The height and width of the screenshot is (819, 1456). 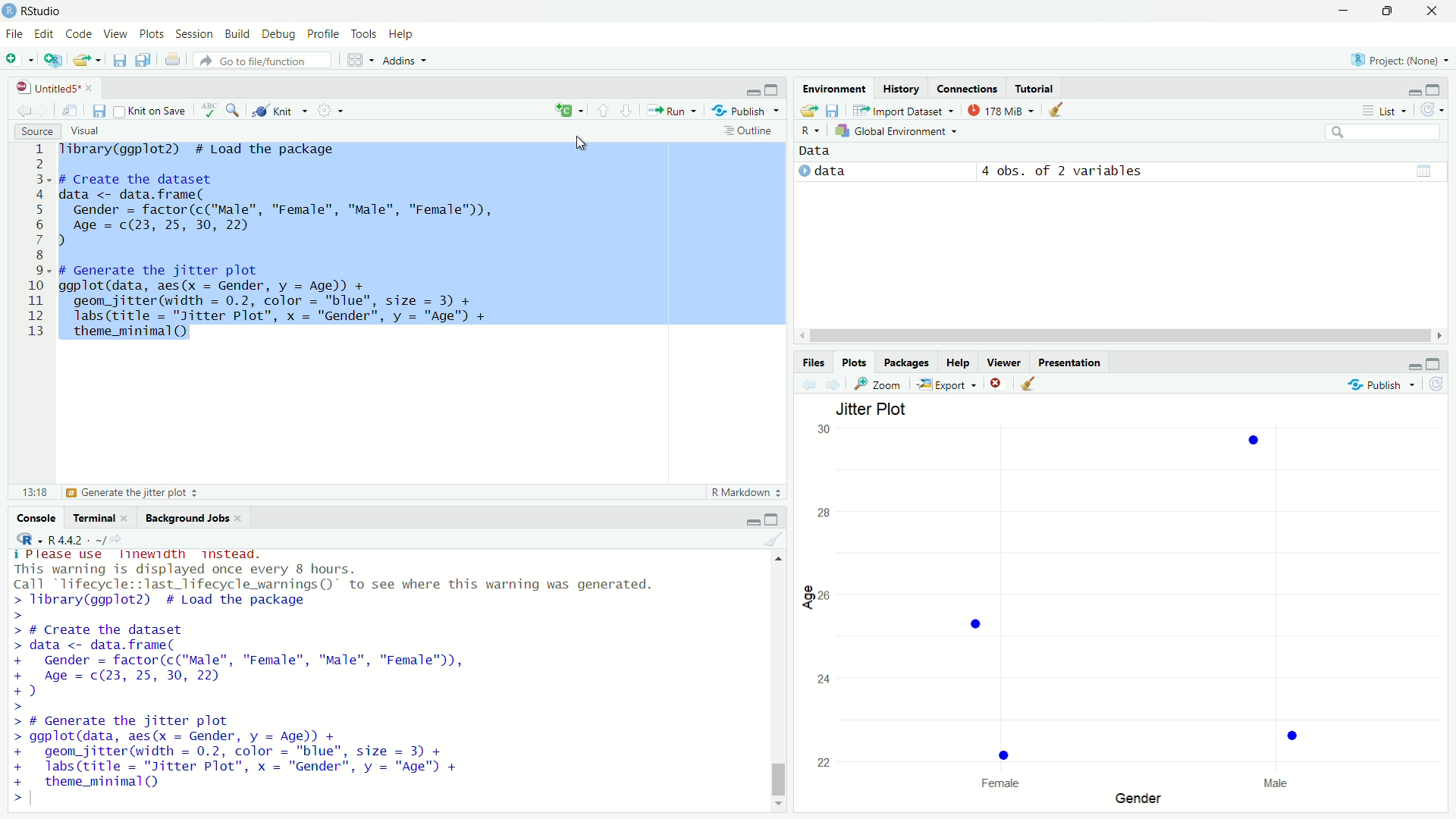 I want to click on packages, so click(x=907, y=362).